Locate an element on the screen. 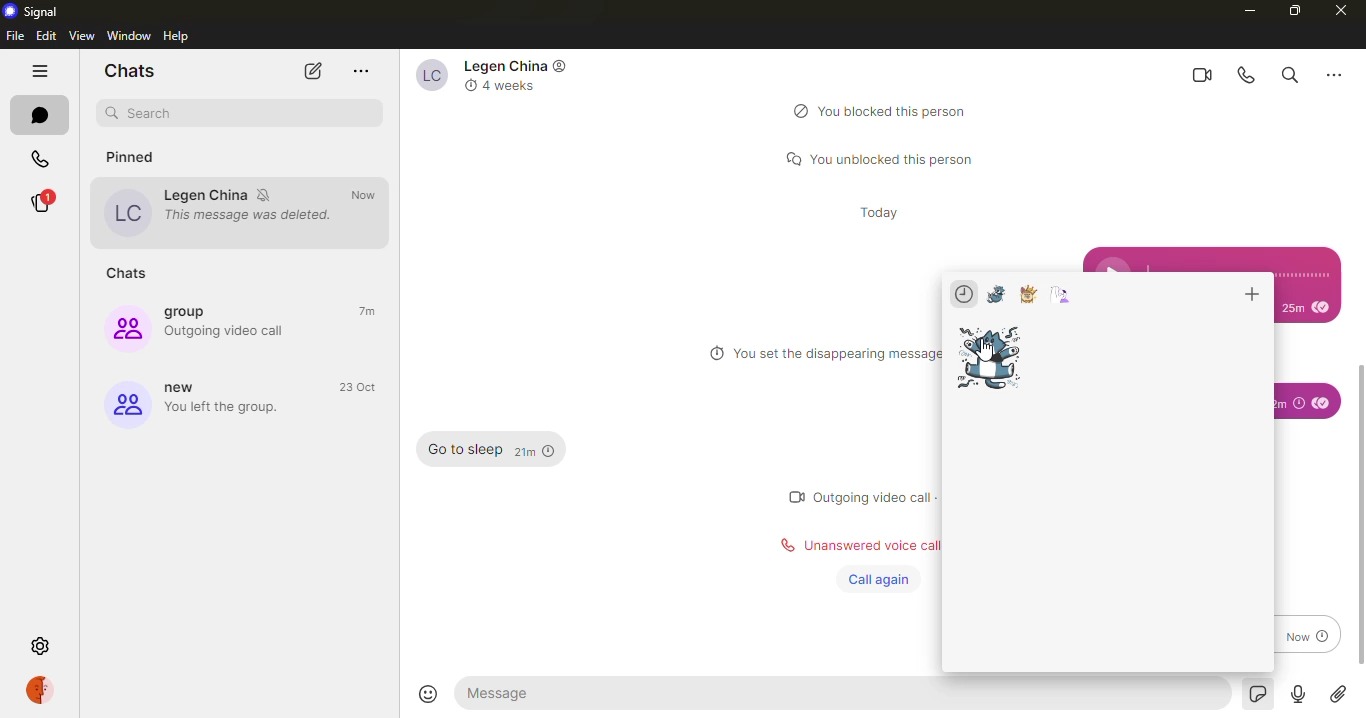  scroll bar is located at coordinates (1361, 512).